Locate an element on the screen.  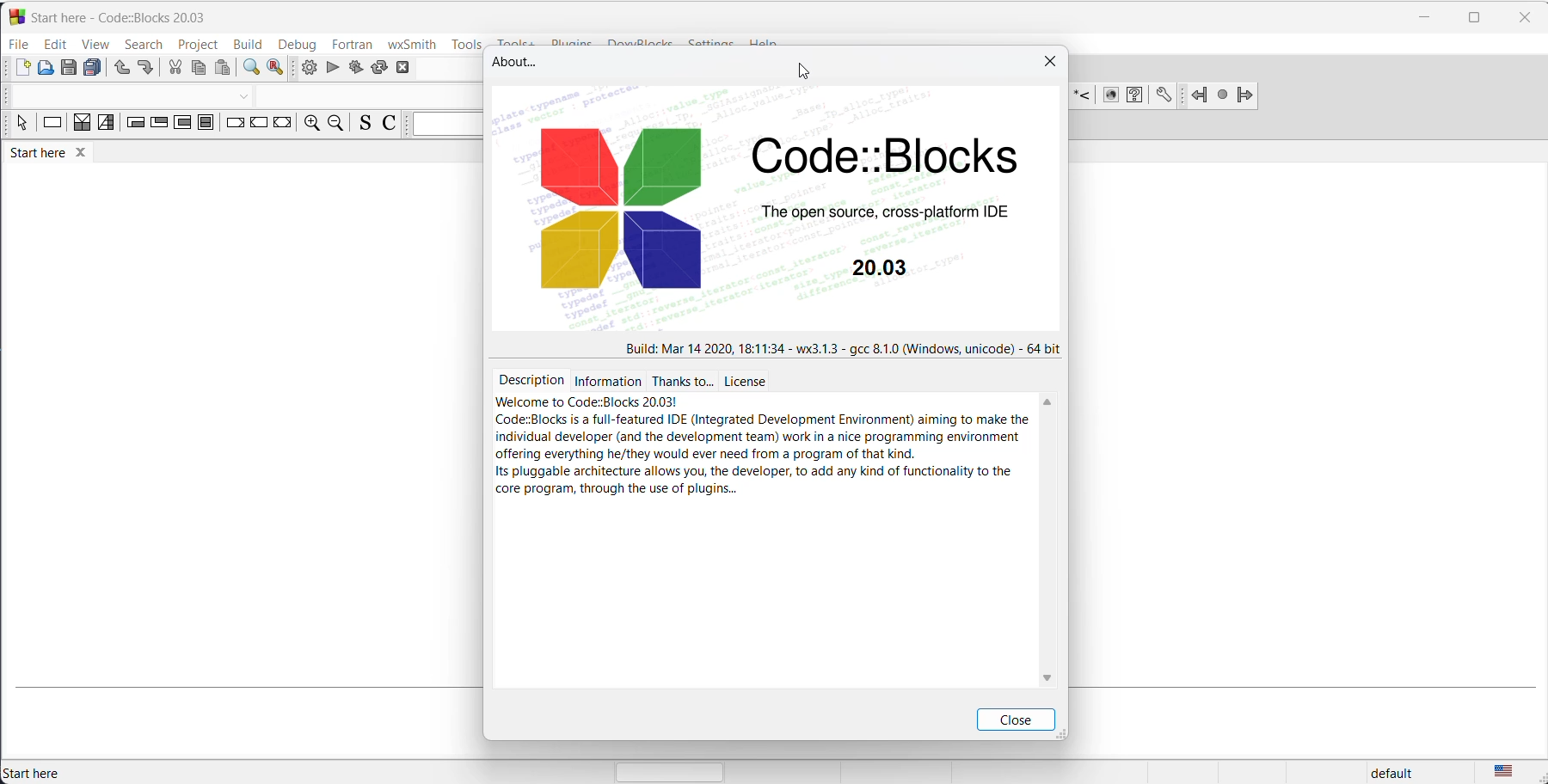
zoom out is located at coordinates (336, 125).